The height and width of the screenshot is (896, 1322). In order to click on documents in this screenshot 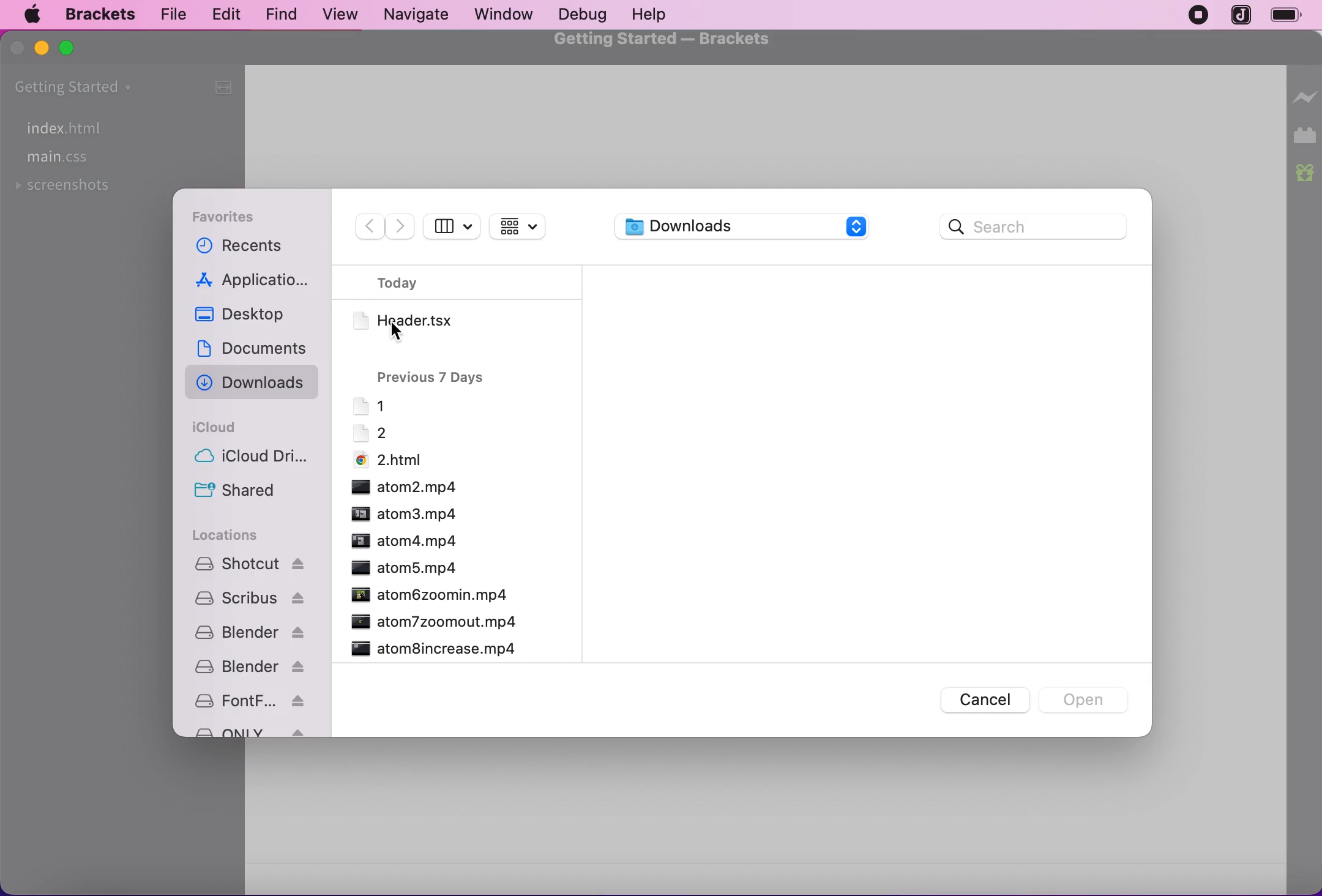, I will do `click(255, 349)`.